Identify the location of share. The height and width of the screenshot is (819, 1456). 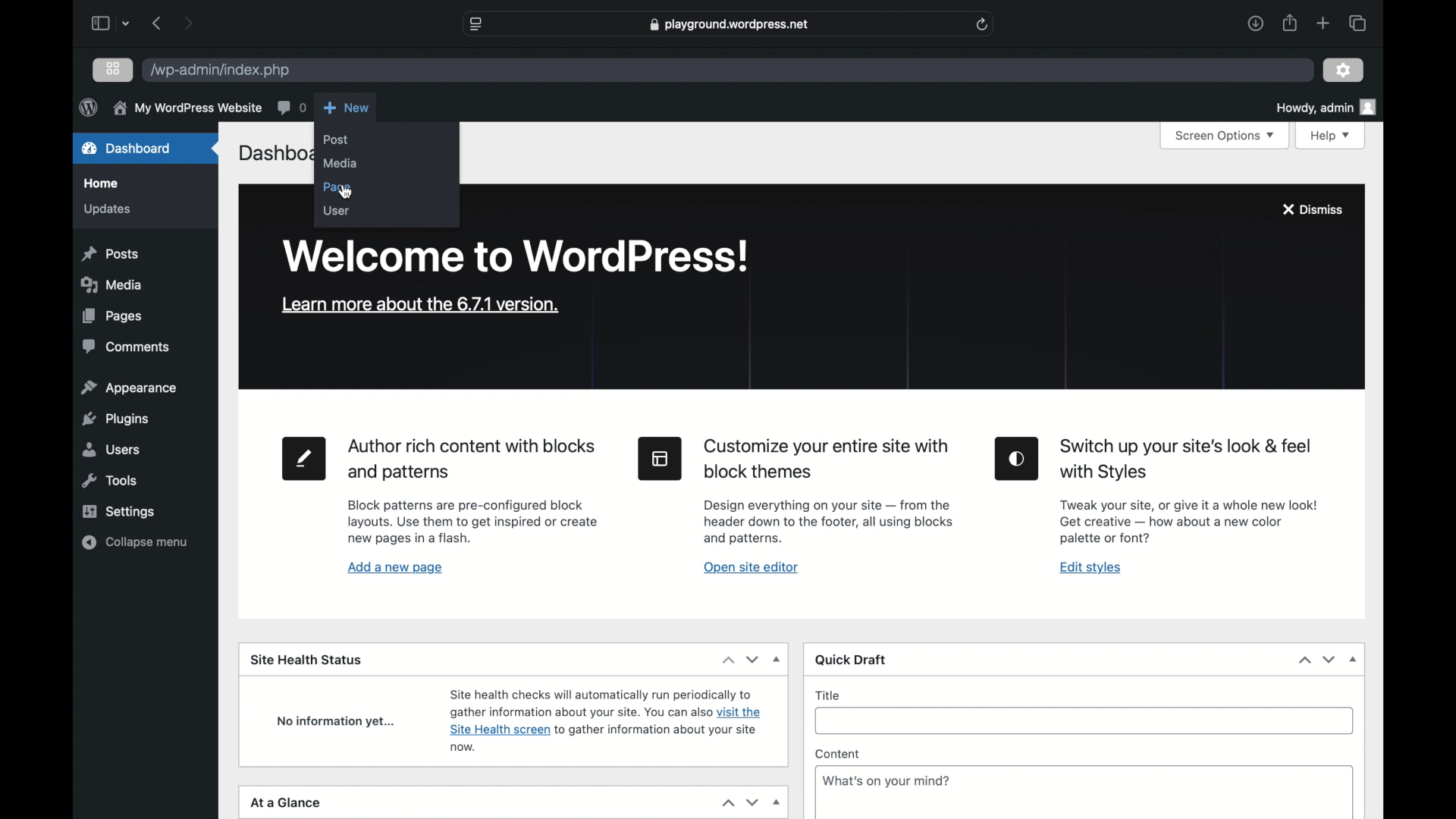
(1288, 24).